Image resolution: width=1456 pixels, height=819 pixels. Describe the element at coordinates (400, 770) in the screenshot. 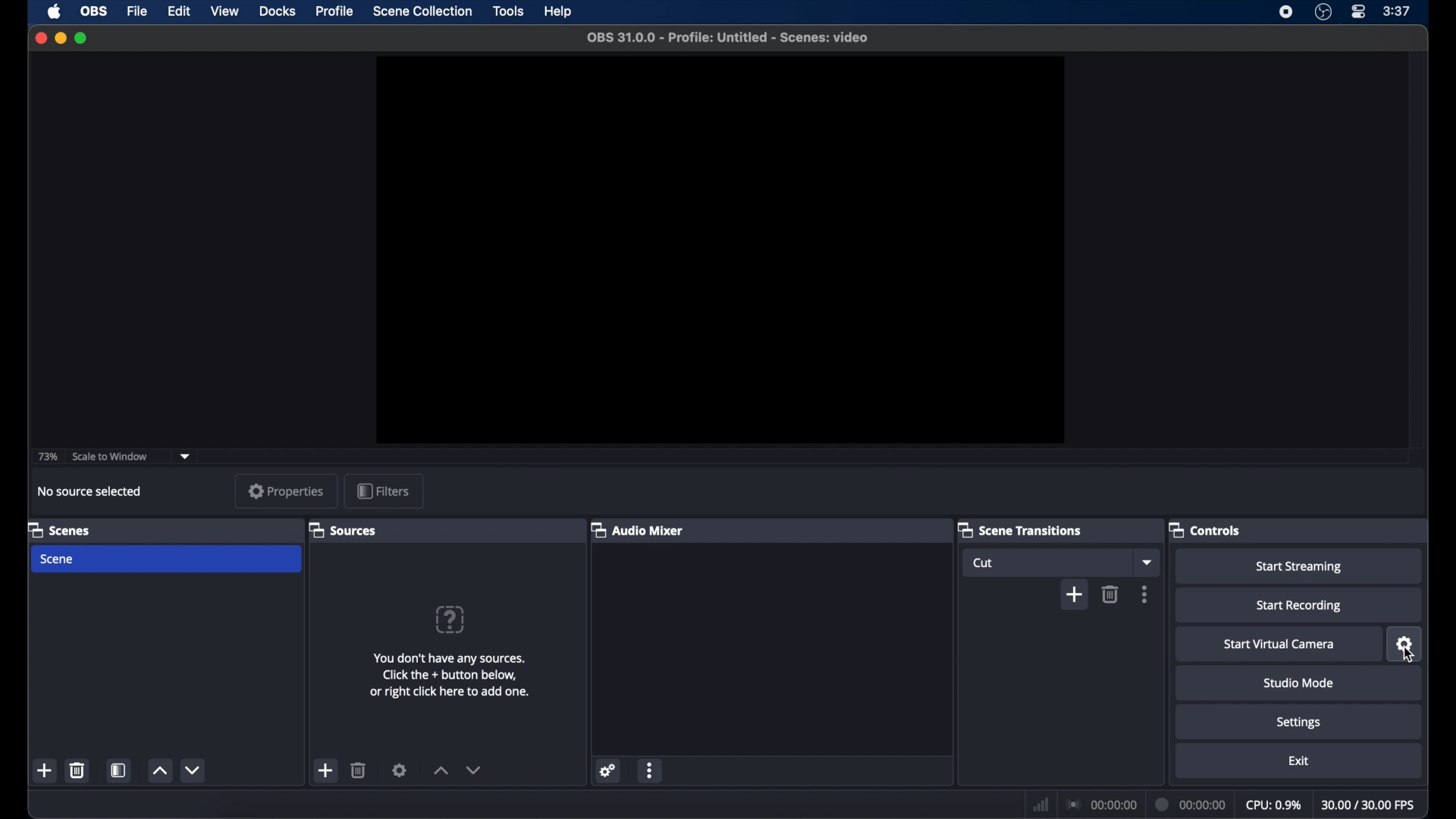

I see `settings` at that location.